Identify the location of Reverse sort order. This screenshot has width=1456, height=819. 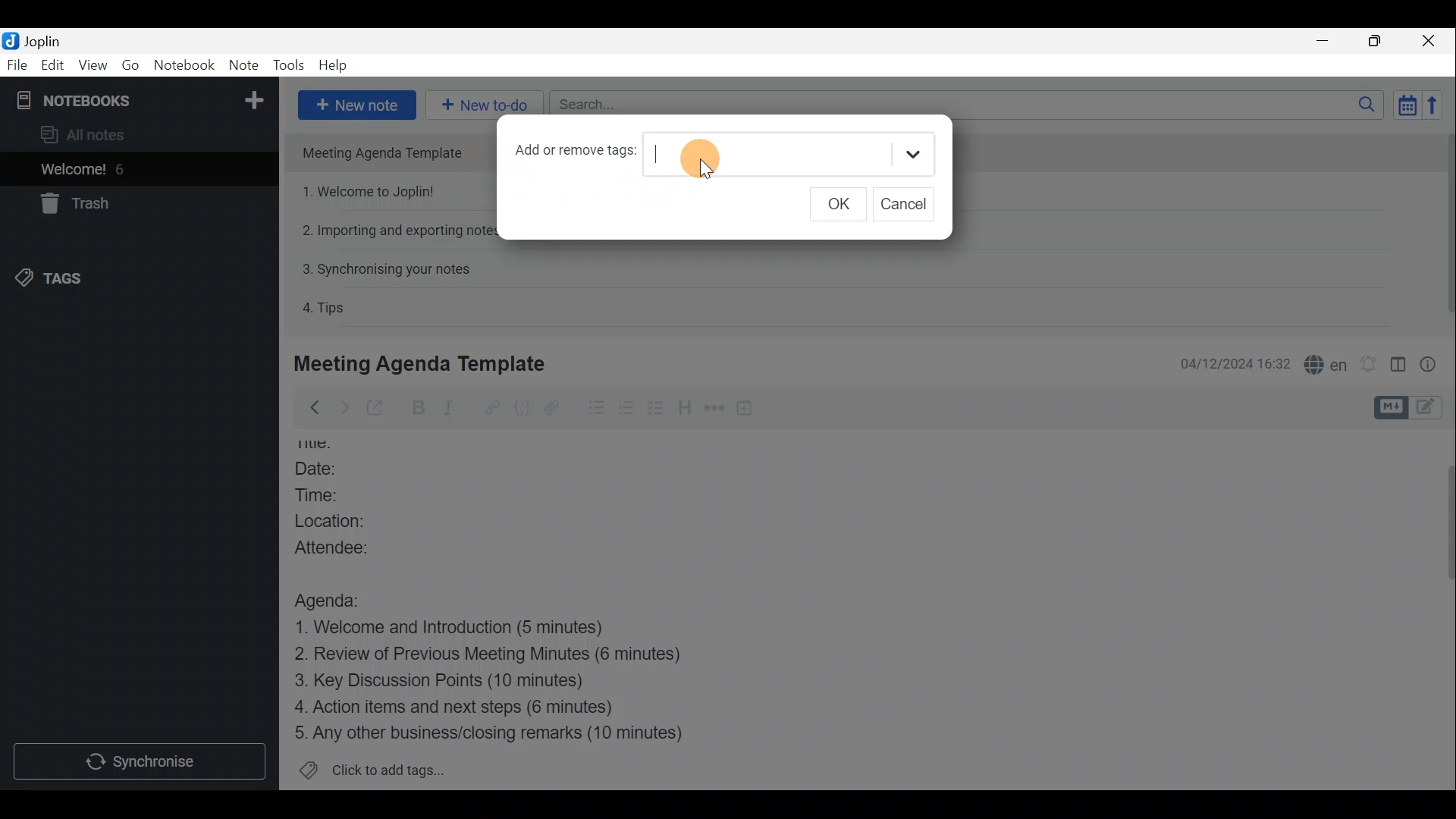
(1435, 105).